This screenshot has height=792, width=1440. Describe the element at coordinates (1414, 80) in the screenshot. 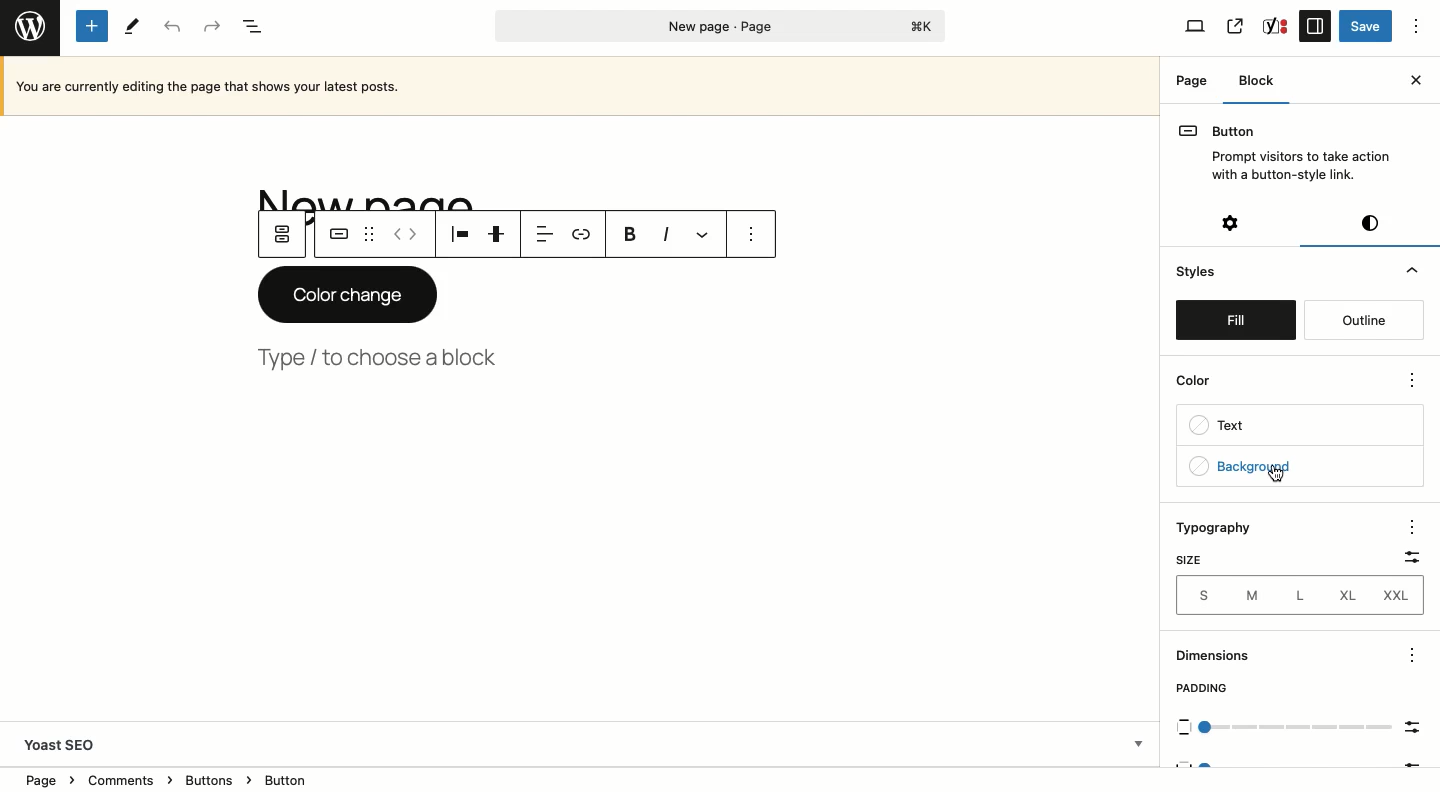

I see `Close` at that location.